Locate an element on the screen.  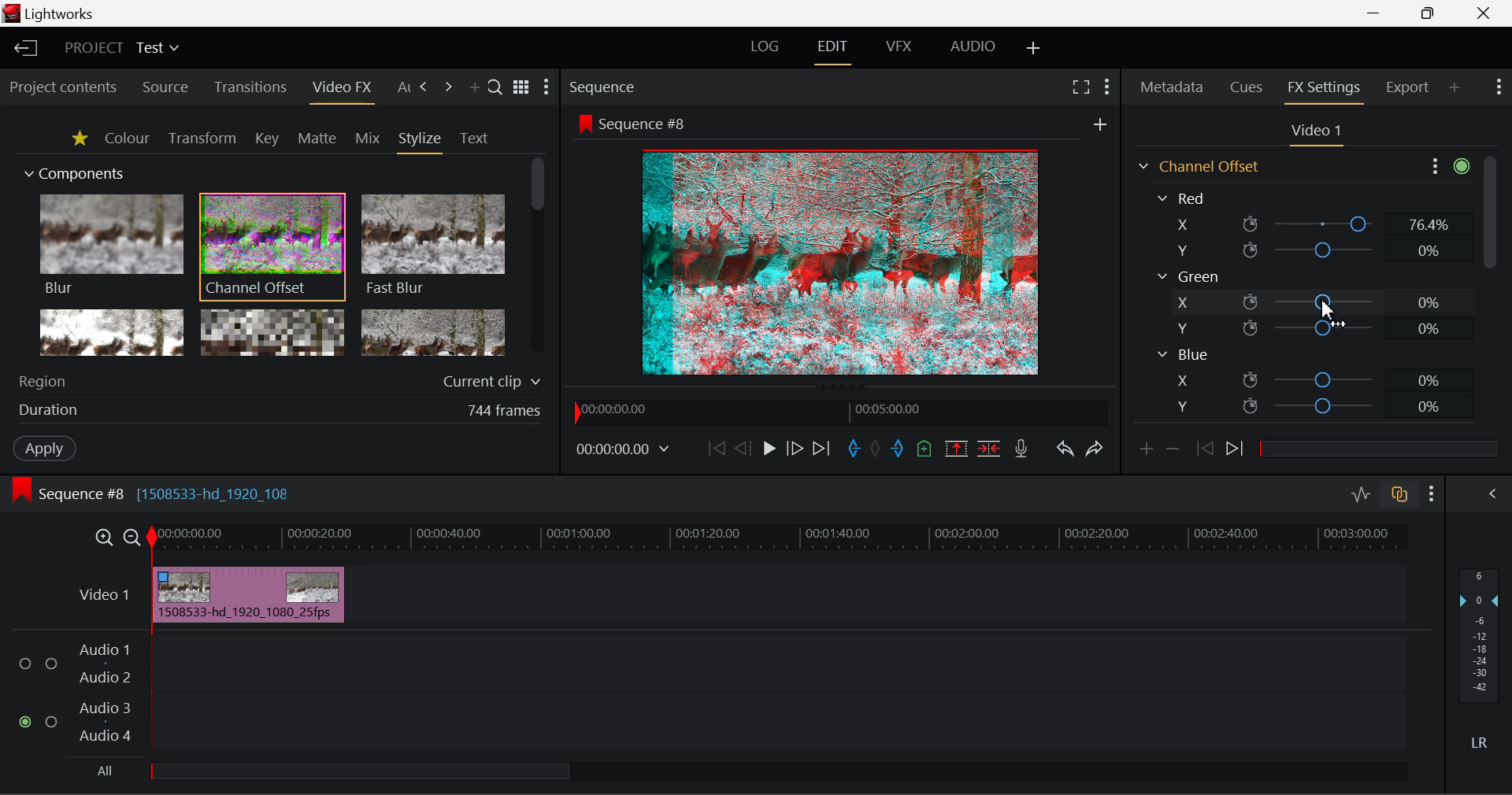
Go Forward is located at coordinates (795, 450).